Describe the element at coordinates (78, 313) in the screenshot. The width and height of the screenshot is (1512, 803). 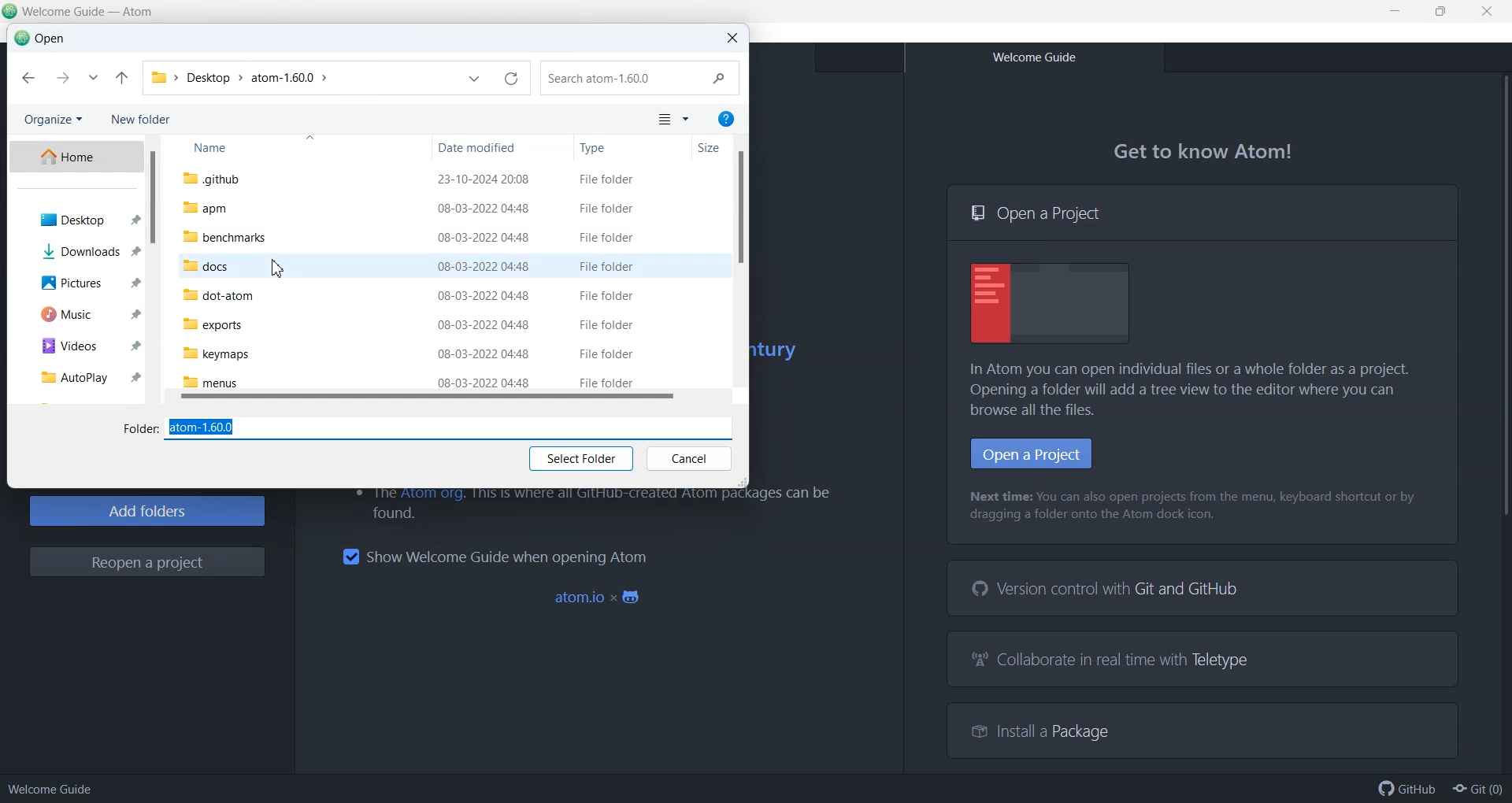
I see `Music` at that location.